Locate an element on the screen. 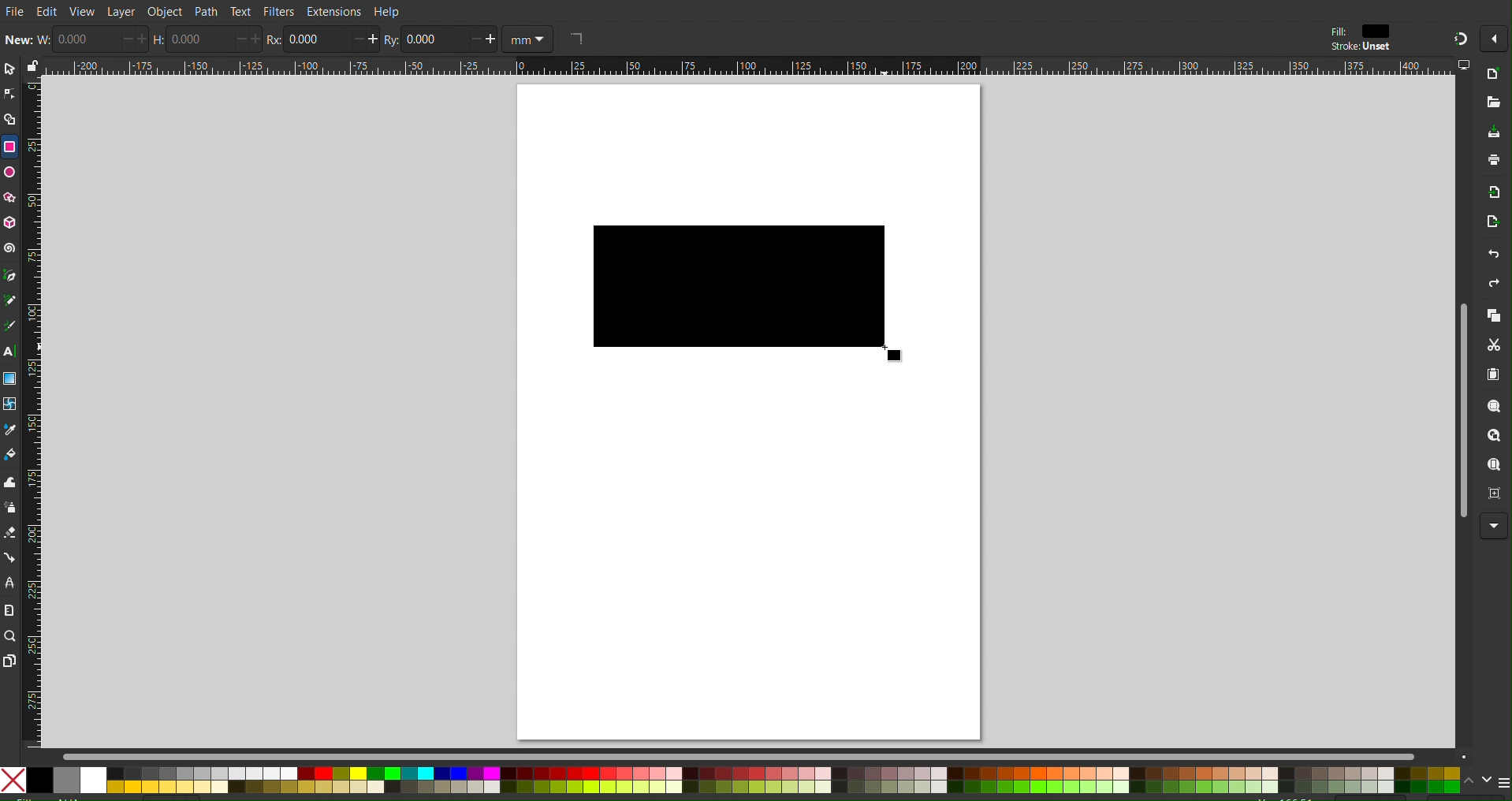 This screenshot has width=1512, height=801. 0.000 is located at coordinates (195, 39).